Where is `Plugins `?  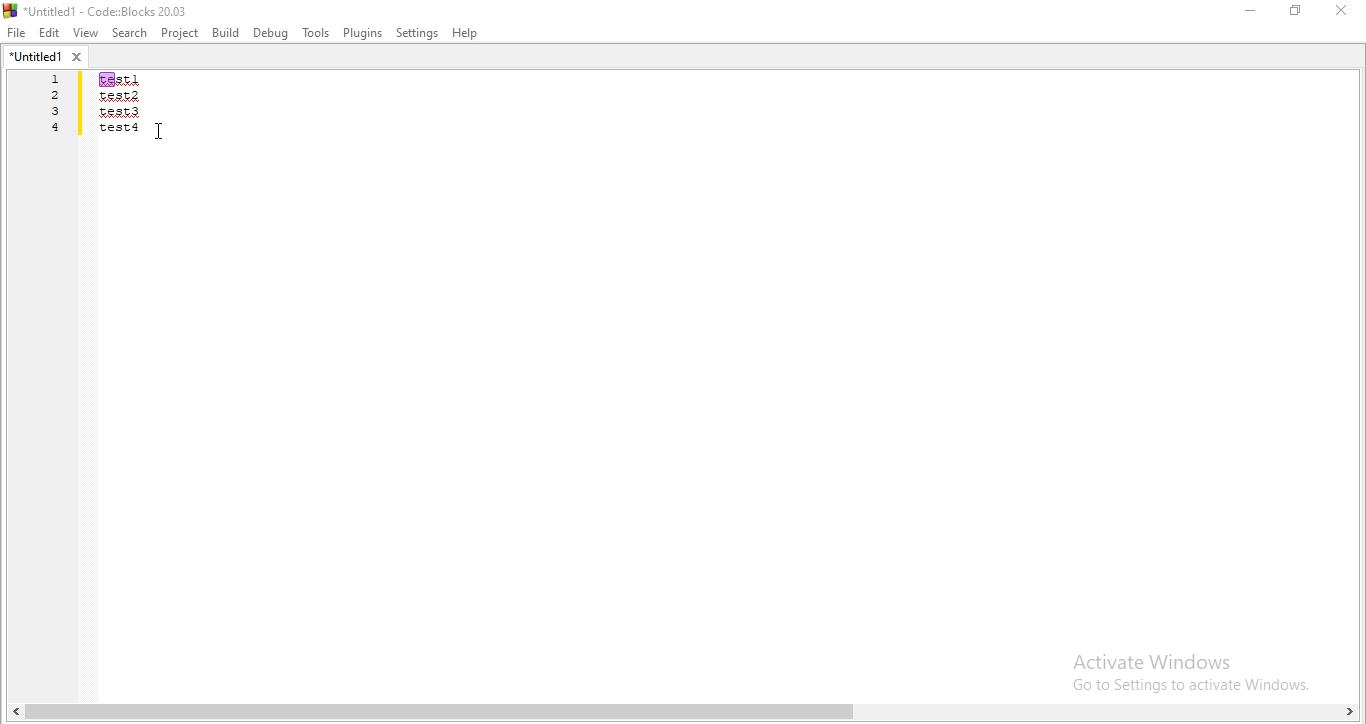
Plugins  is located at coordinates (361, 34).